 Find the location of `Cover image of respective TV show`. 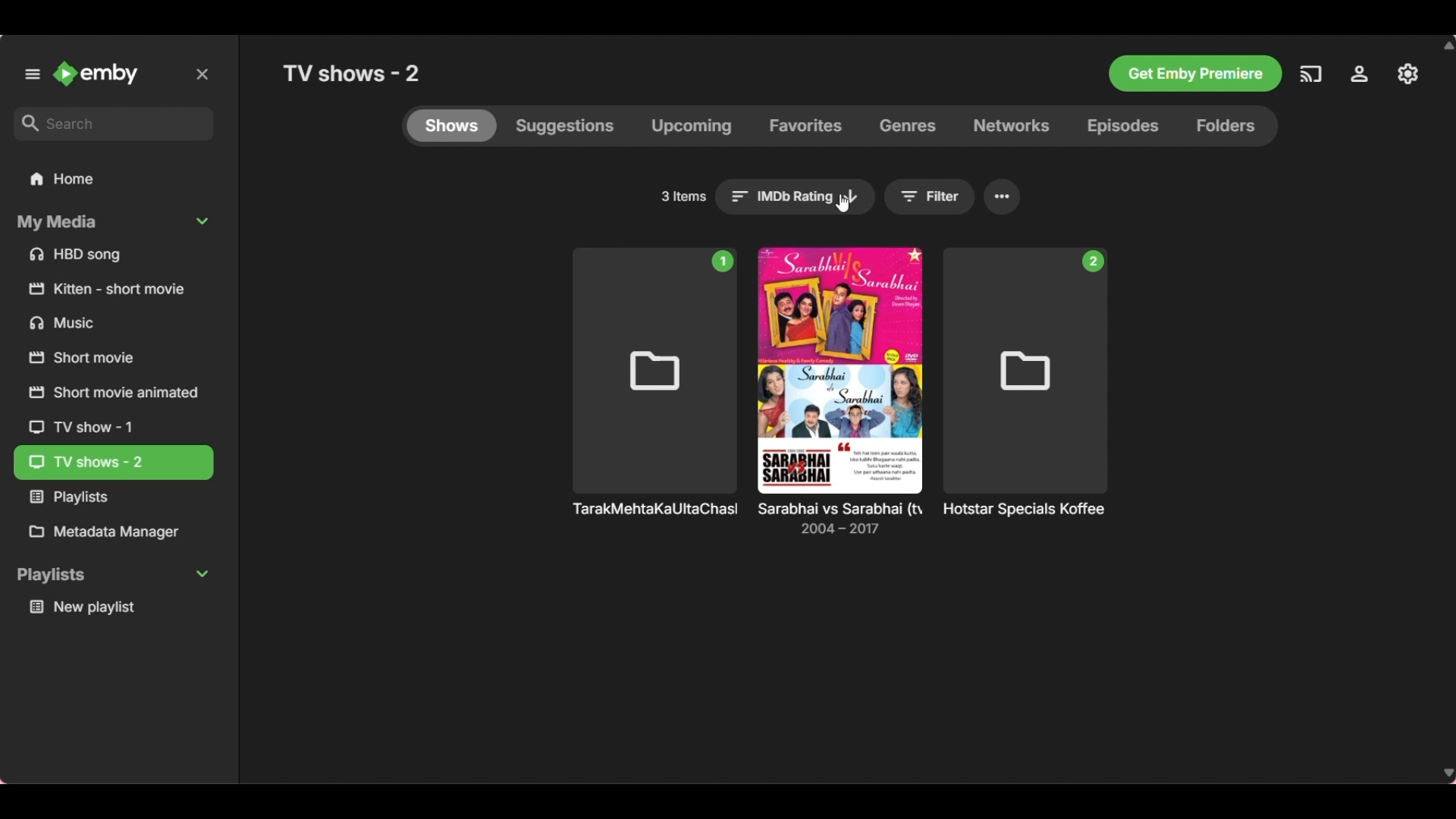

Cover image of respective TV show is located at coordinates (839, 371).